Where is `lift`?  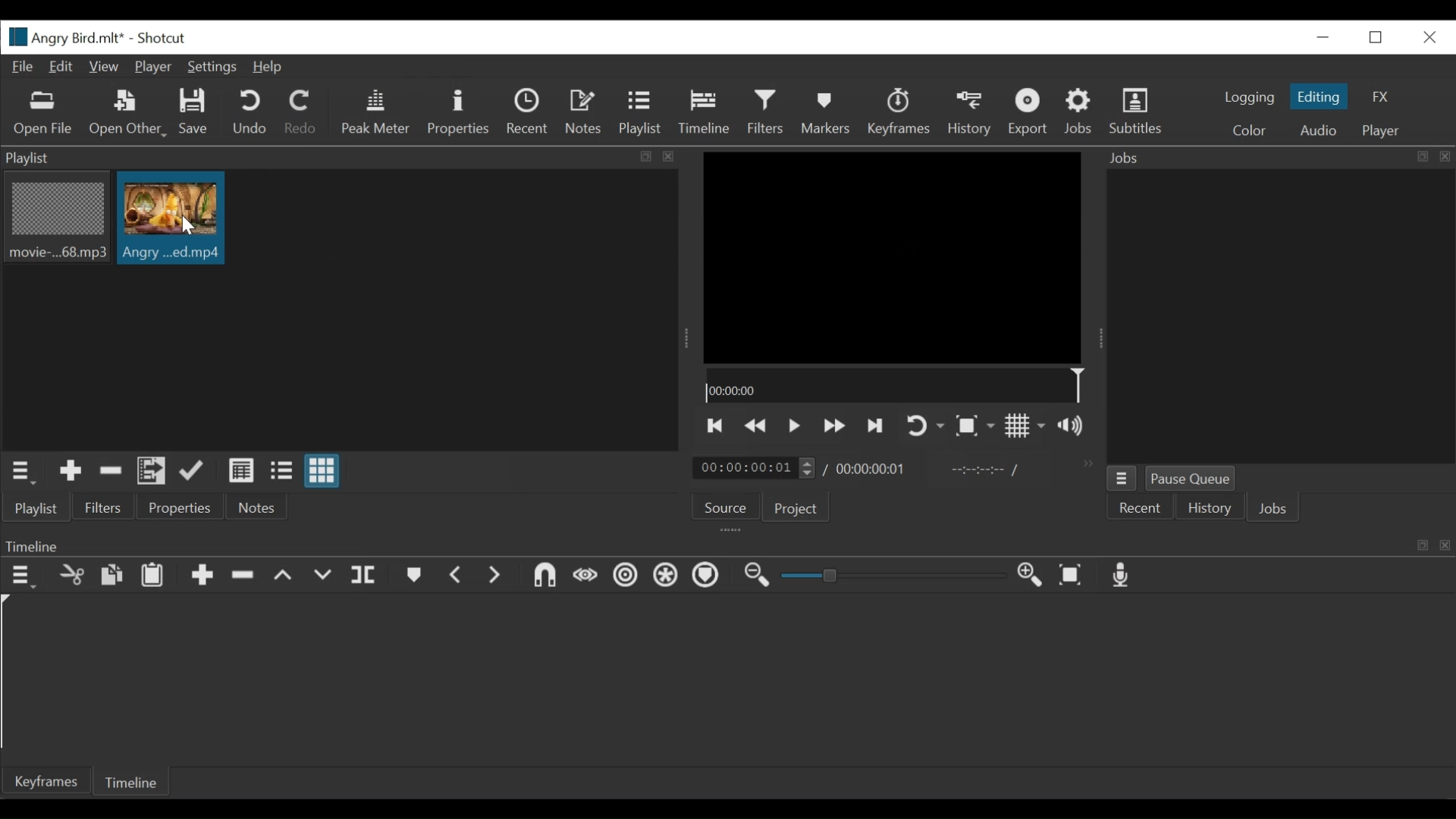 lift is located at coordinates (284, 576).